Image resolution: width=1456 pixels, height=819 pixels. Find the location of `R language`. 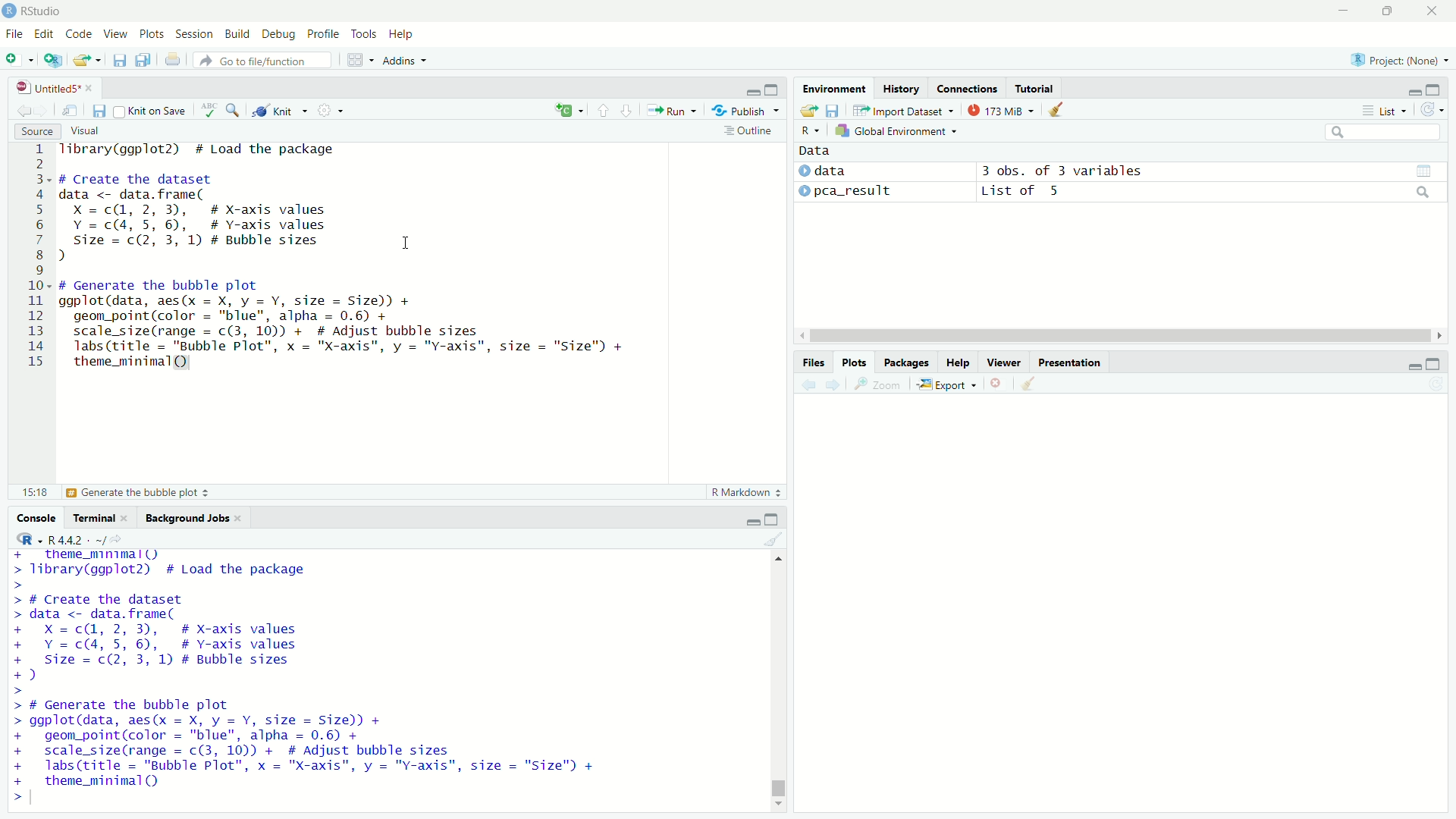

R language is located at coordinates (810, 130).